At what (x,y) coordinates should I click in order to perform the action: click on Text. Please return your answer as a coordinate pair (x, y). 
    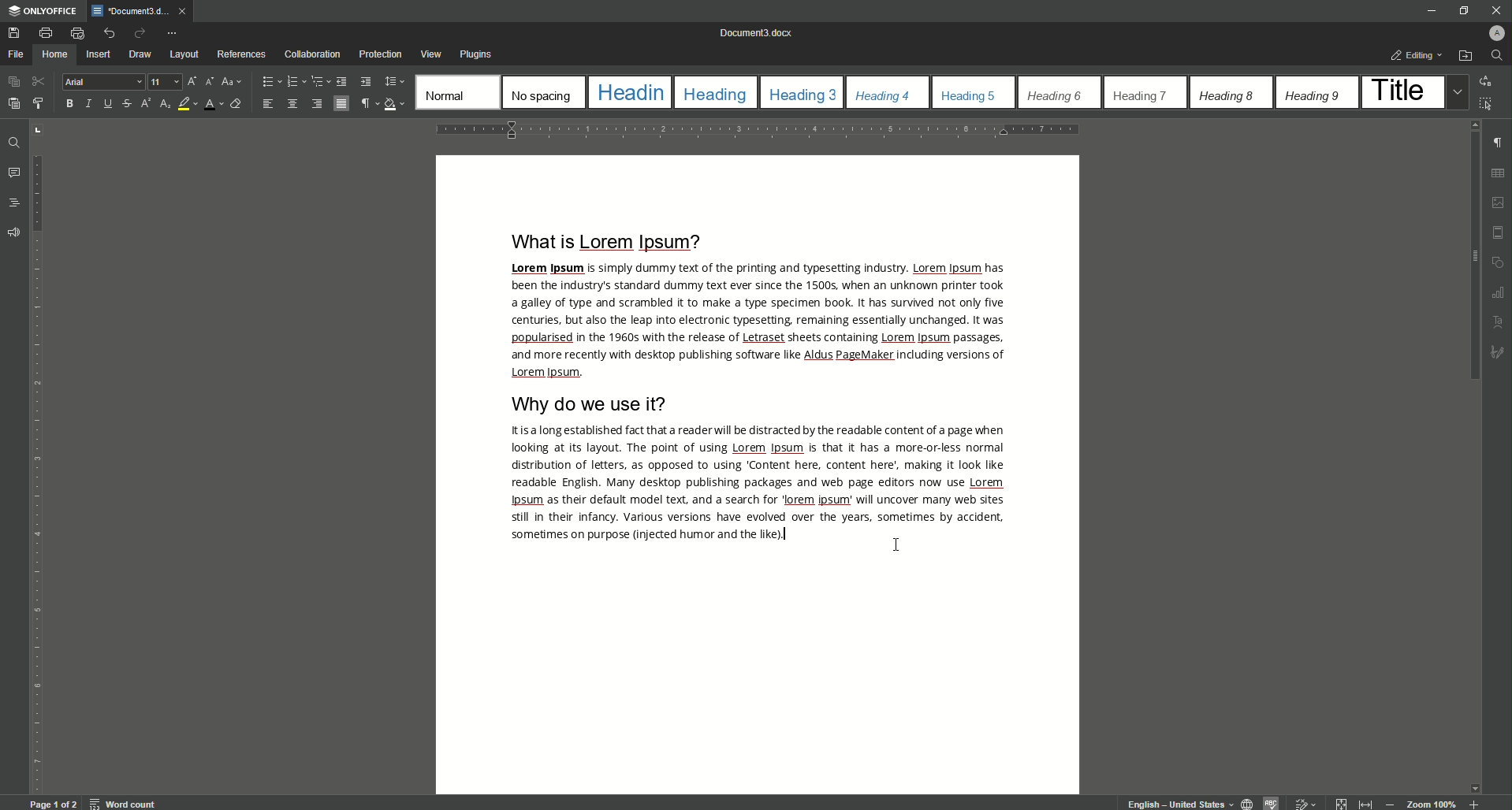
    Looking at the image, I should click on (759, 321).